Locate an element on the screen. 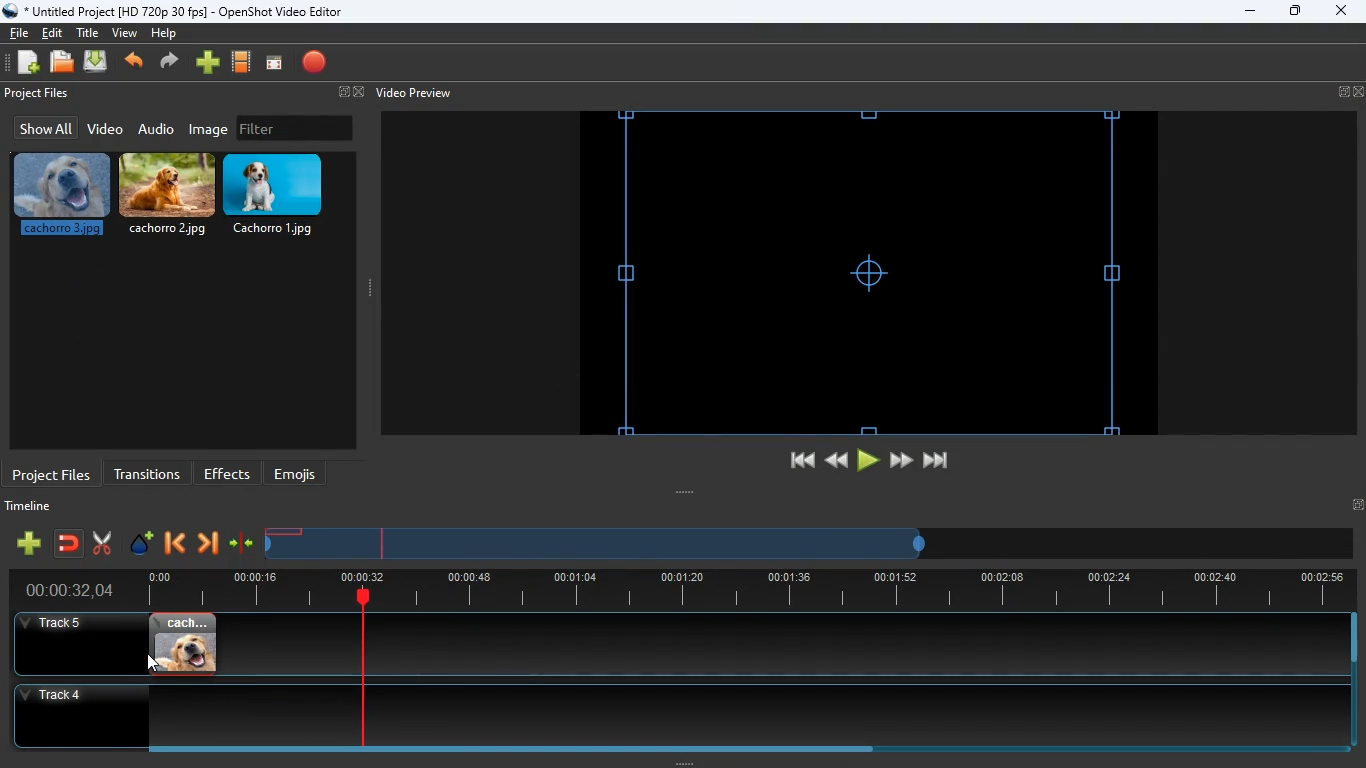 The height and width of the screenshot is (768, 1366). transitions is located at coordinates (147, 472).